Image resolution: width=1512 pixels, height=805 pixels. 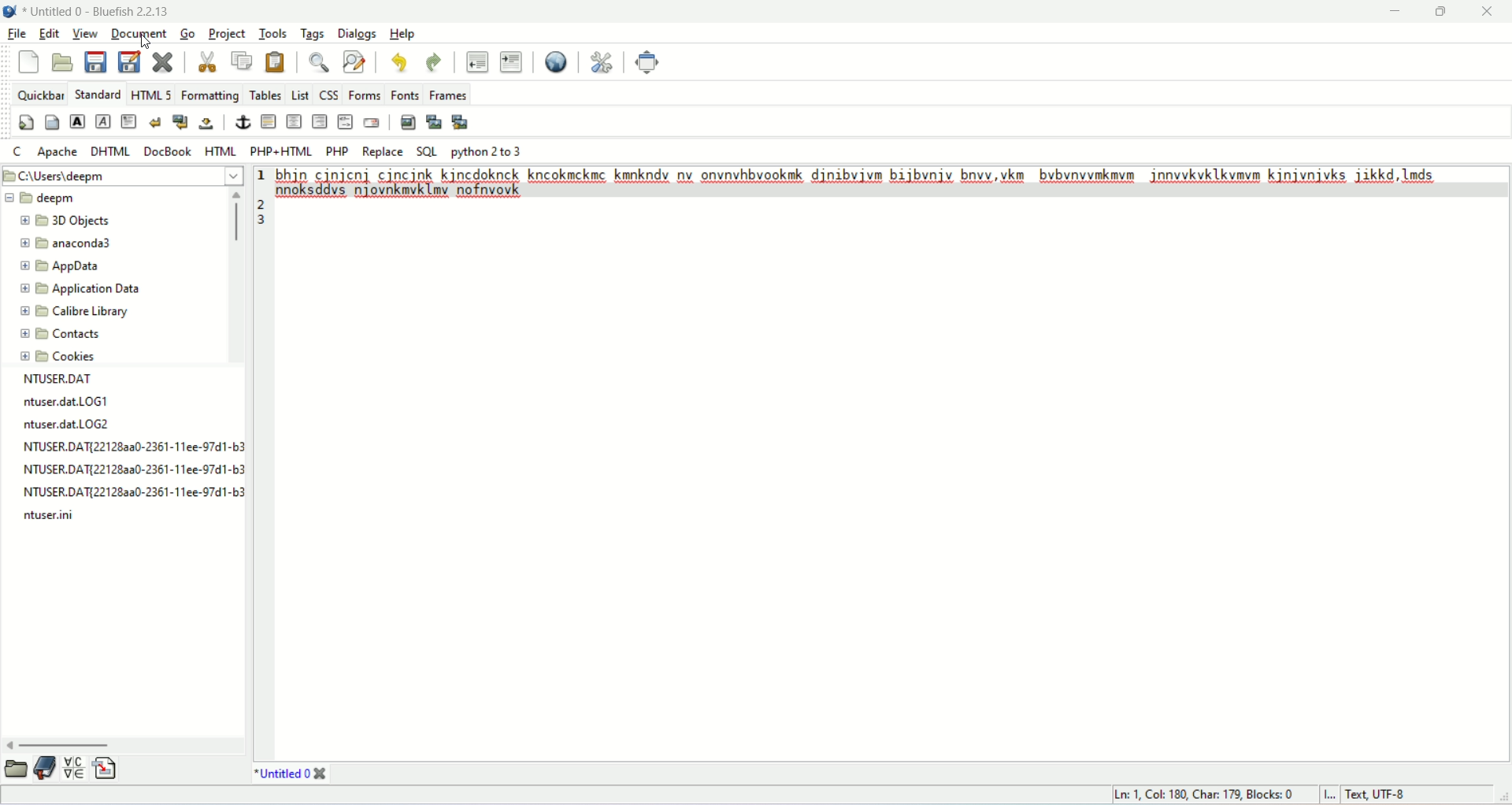 What do you see at coordinates (345, 123) in the screenshot?
I see `HTML comment` at bounding box center [345, 123].